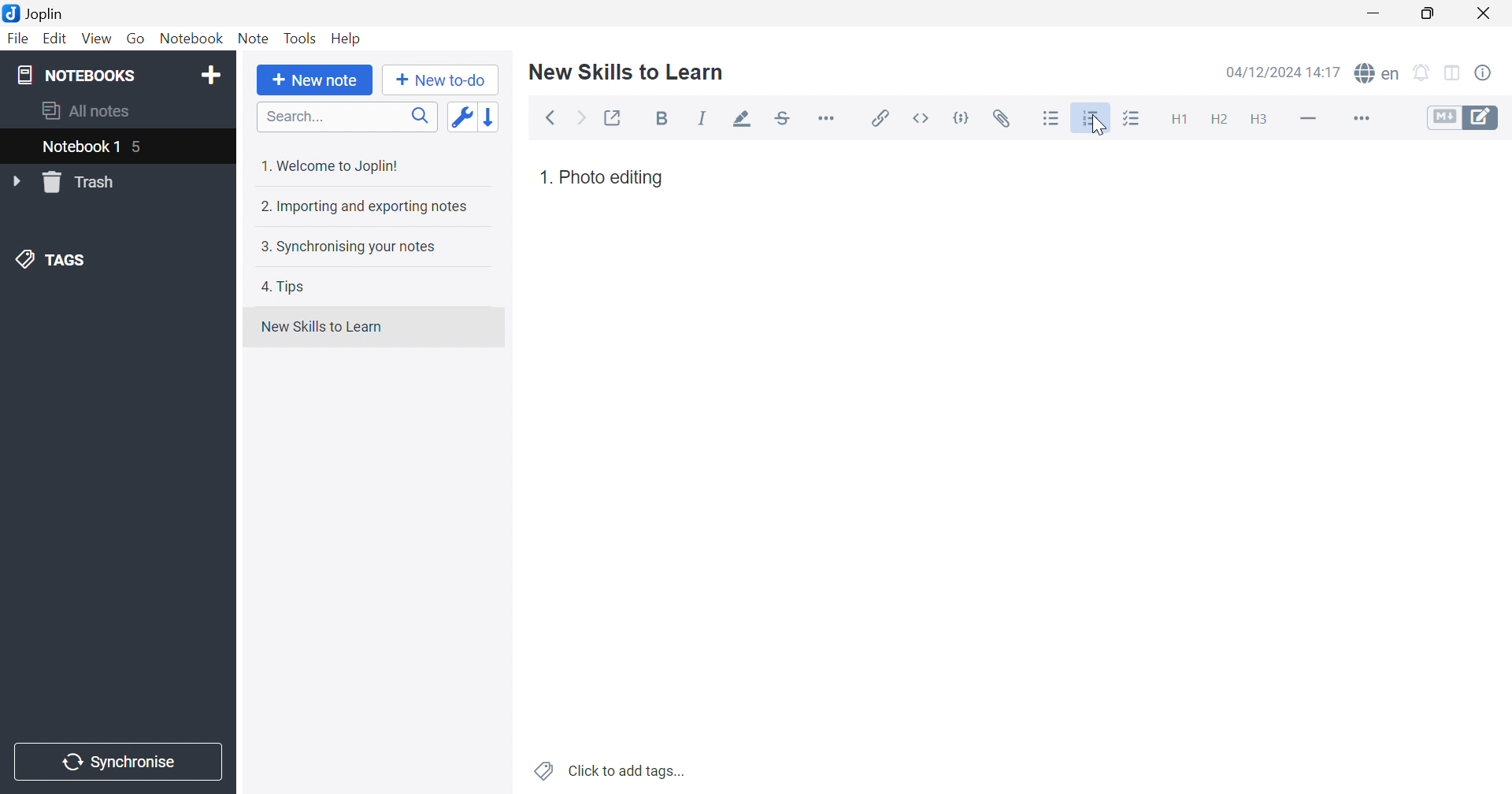 The image size is (1512, 794). What do you see at coordinates (1258, 121) in the screenshot?
I see `Heading 3` at bounding box center [1258, 121].